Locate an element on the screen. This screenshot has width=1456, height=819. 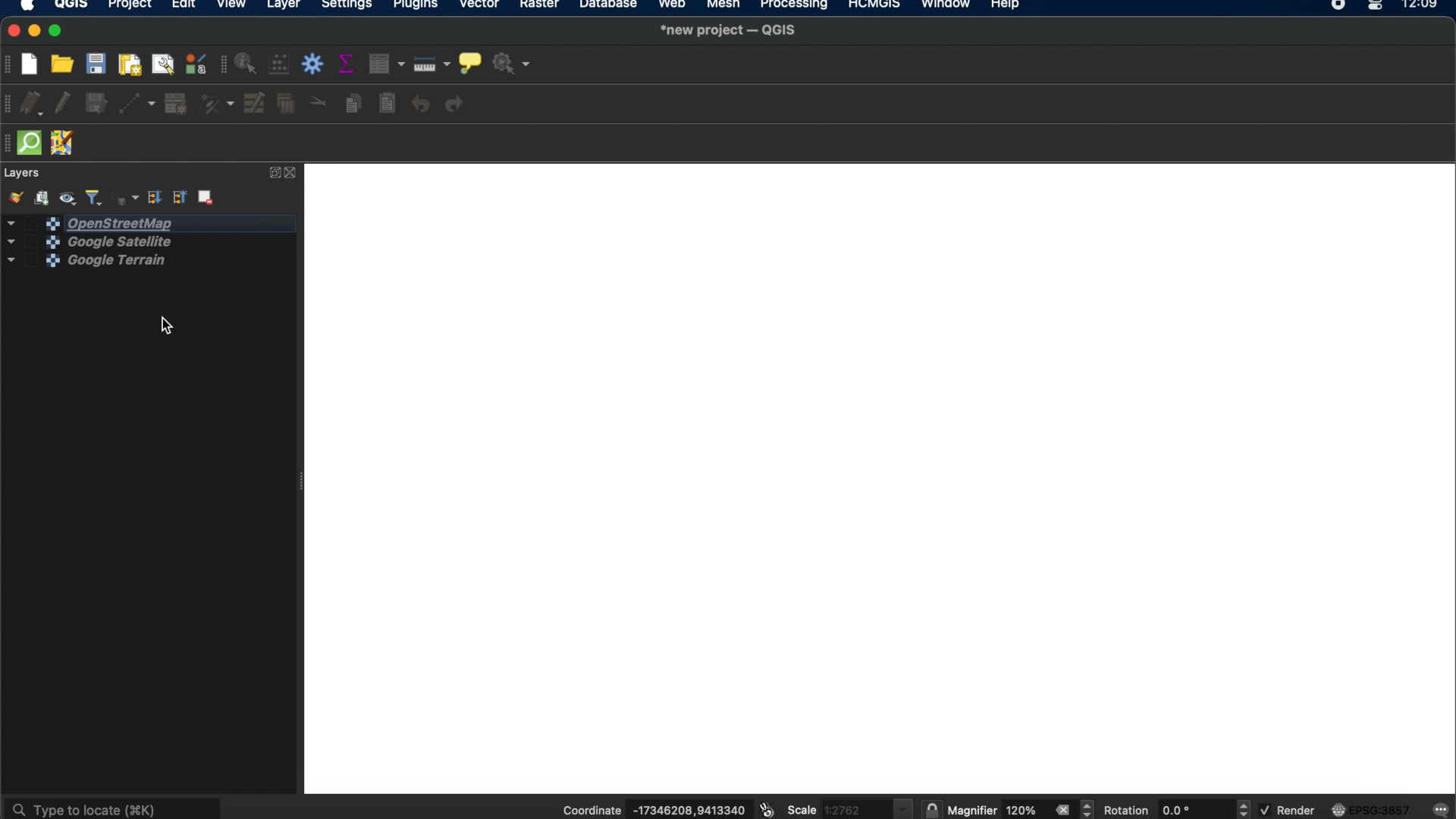
rotation is located at coordinates (1244, 809).